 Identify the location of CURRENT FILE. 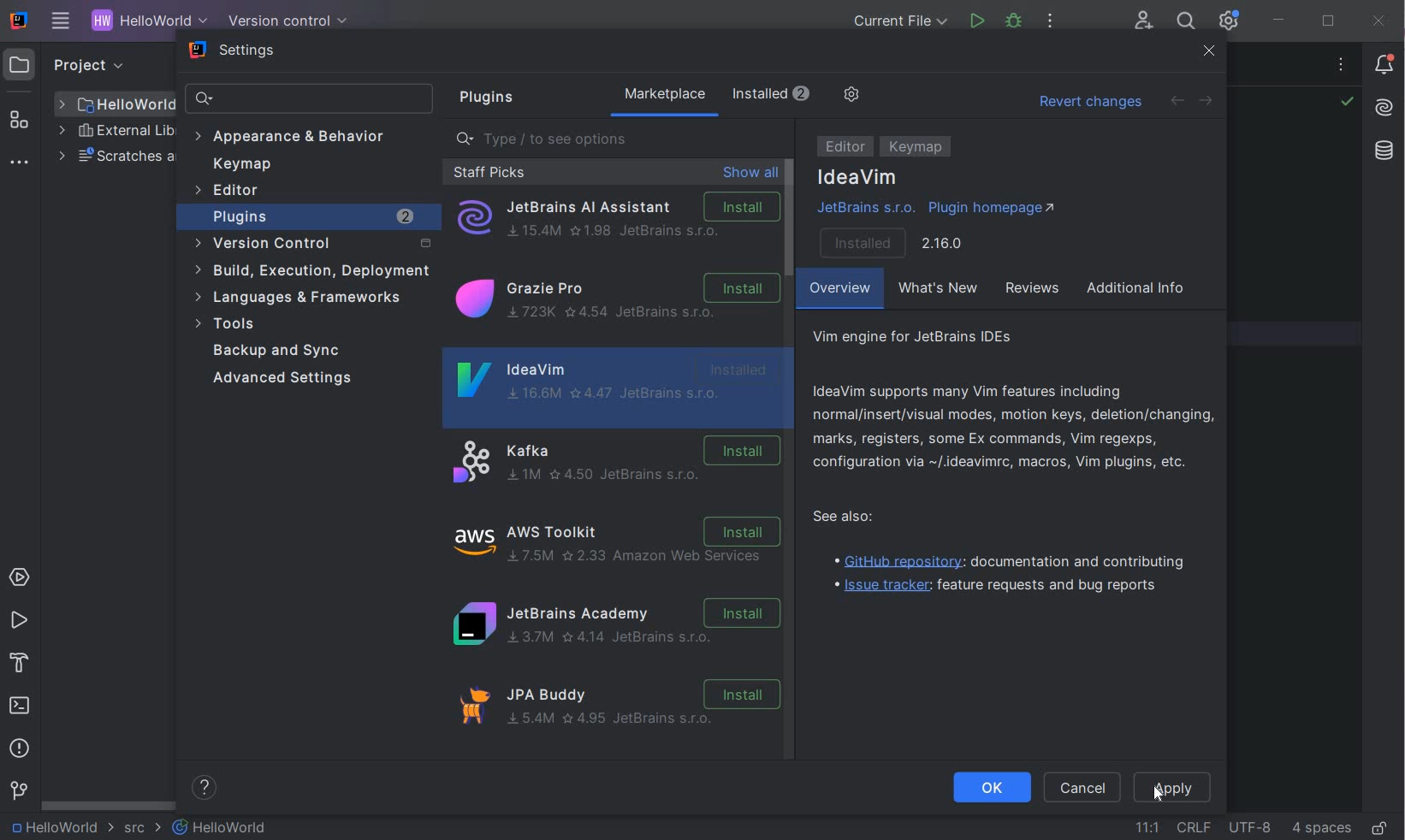
(900, 23).